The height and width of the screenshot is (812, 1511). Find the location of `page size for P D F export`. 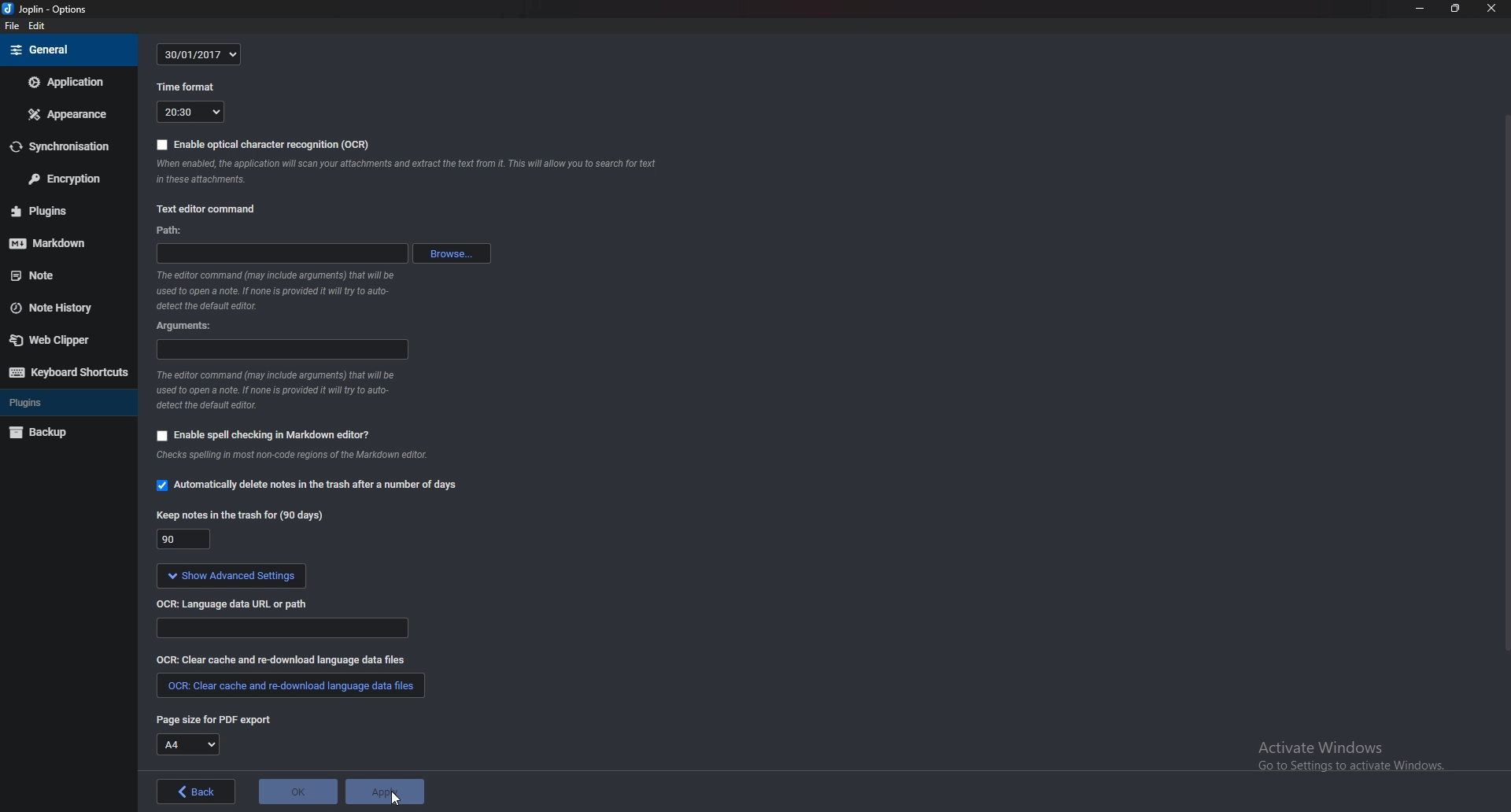

page size for P D F export is located at coordinates (216, 721).